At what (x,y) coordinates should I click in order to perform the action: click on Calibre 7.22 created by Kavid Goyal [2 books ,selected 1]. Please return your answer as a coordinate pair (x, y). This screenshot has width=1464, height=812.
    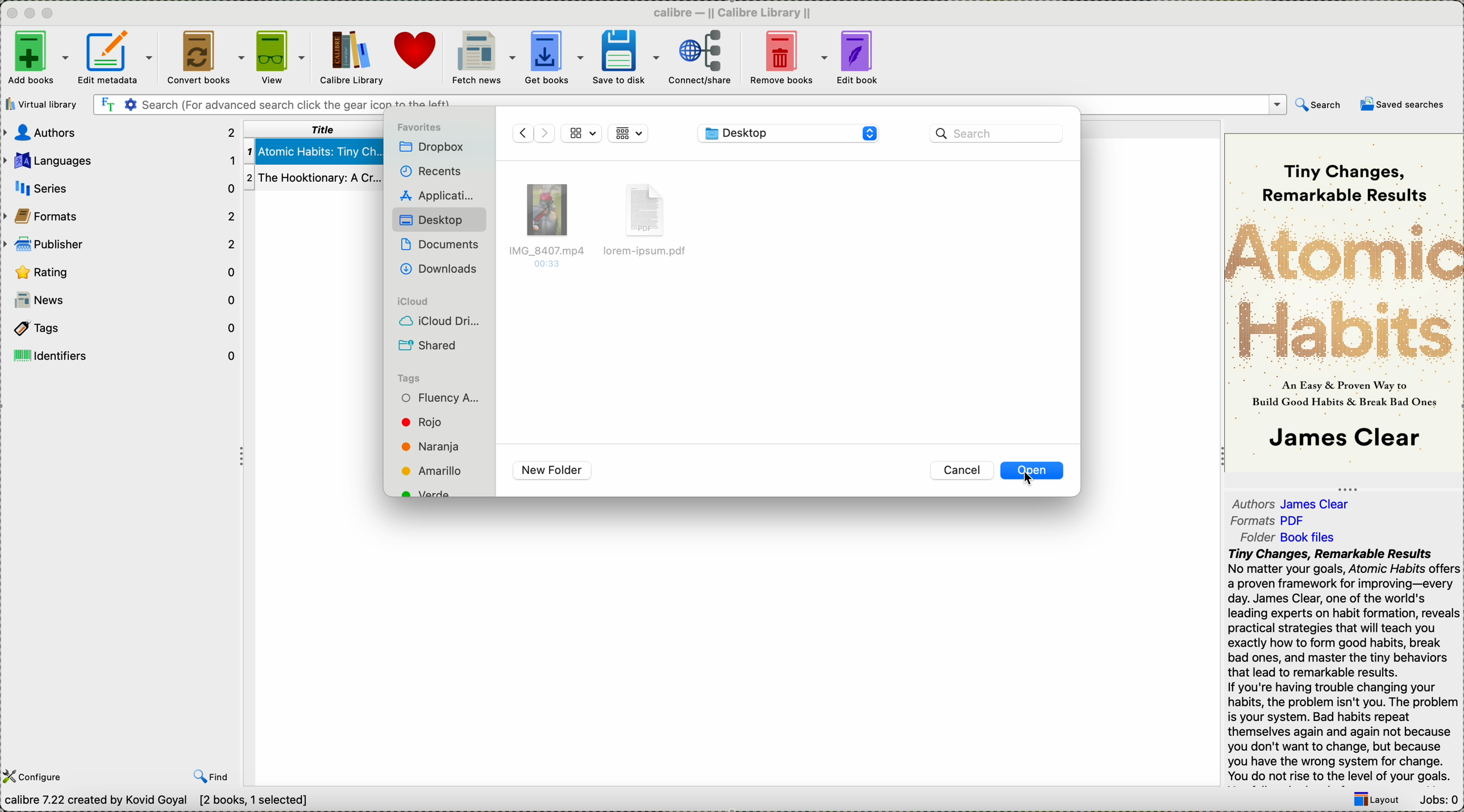
    Looking at the image, I should click on (157, 803).